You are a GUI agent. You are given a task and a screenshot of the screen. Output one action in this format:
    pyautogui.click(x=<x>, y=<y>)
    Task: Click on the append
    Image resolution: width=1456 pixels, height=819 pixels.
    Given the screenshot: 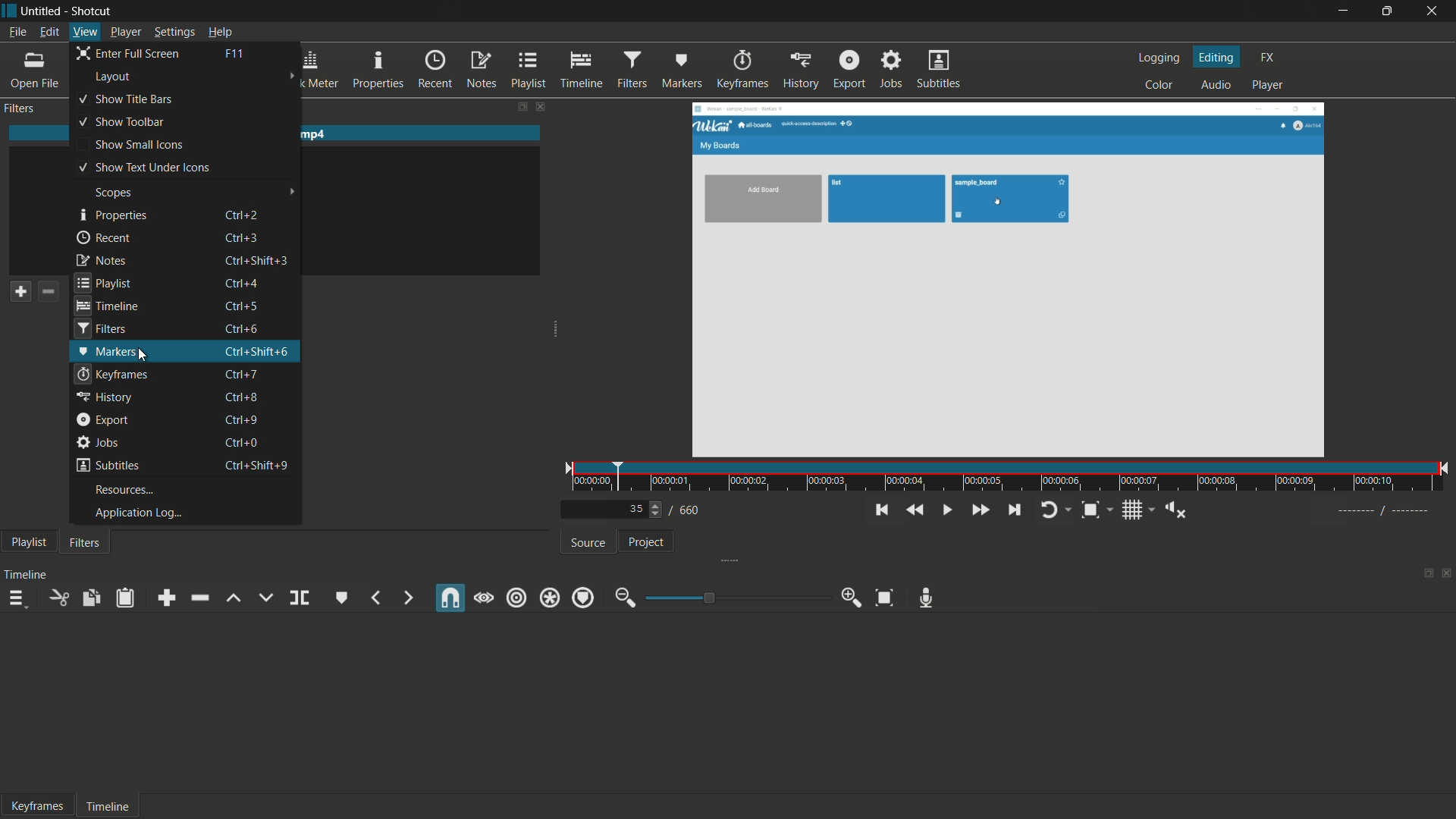 What is the action you would take?
    pyautogui.click(x=167, y=597)
    